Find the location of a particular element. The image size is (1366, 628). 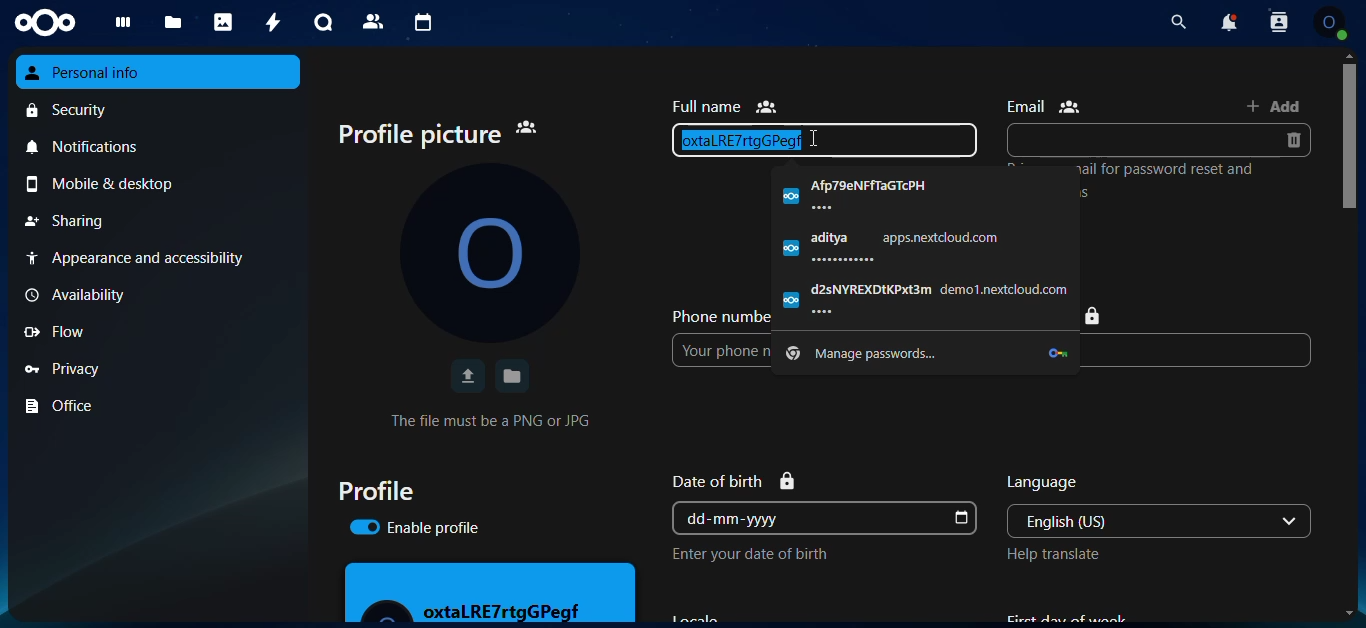

location is located at coordinates (1095, 316).